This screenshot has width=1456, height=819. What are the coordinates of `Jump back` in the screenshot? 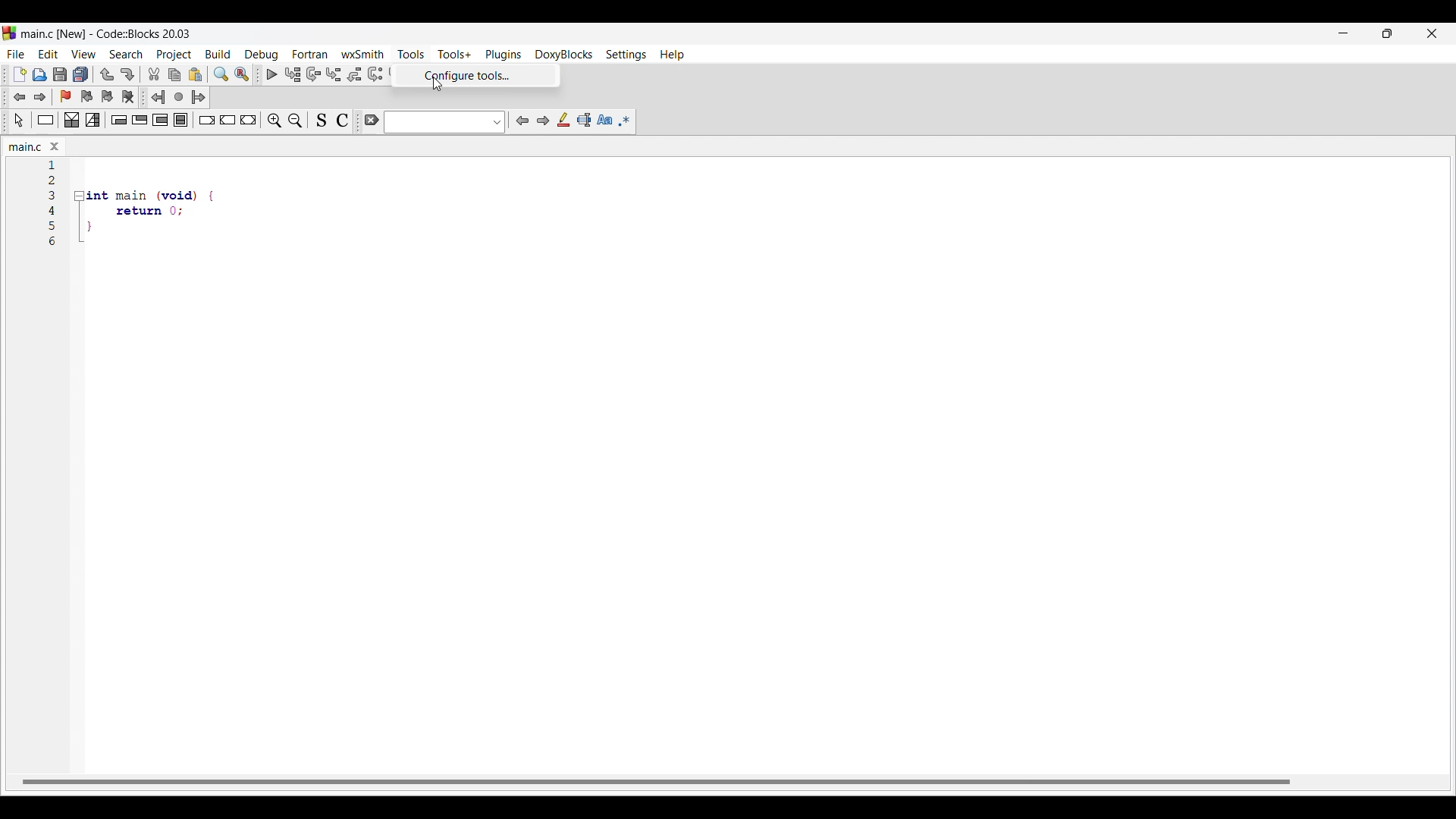 It's located at (158, 97).